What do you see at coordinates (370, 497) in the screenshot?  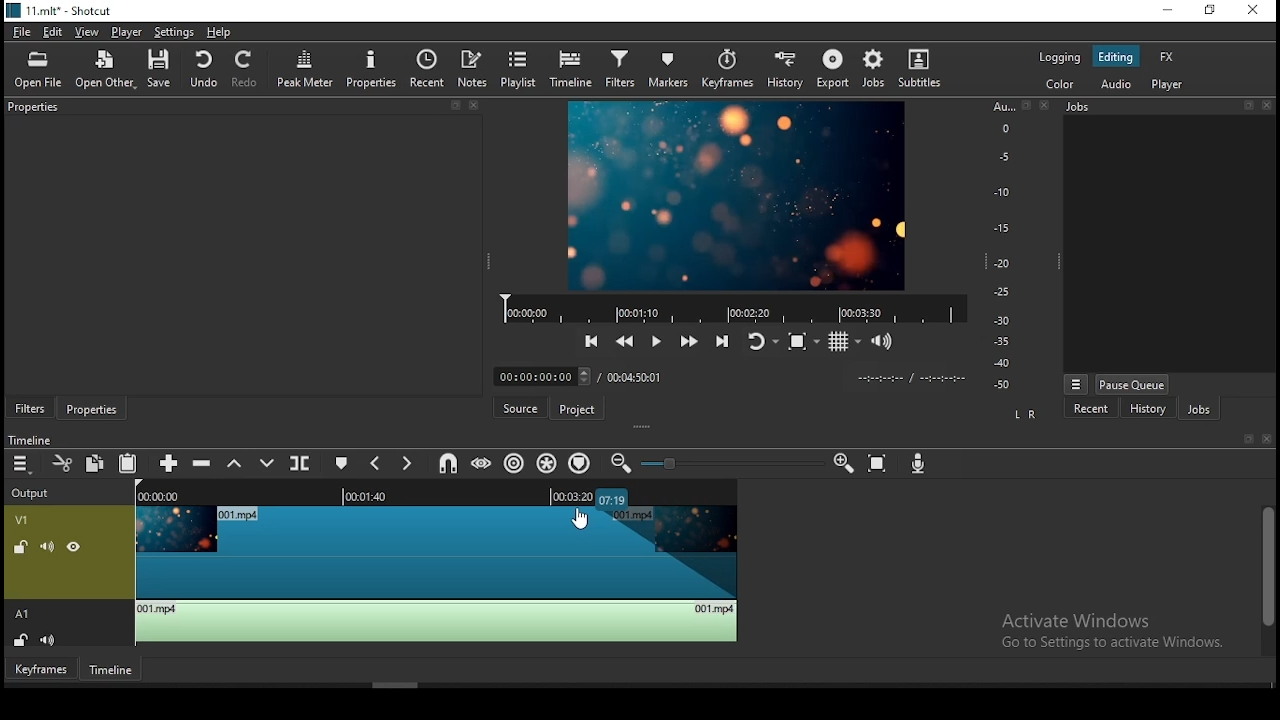 I see `played time` at bounding box center [370, 497].